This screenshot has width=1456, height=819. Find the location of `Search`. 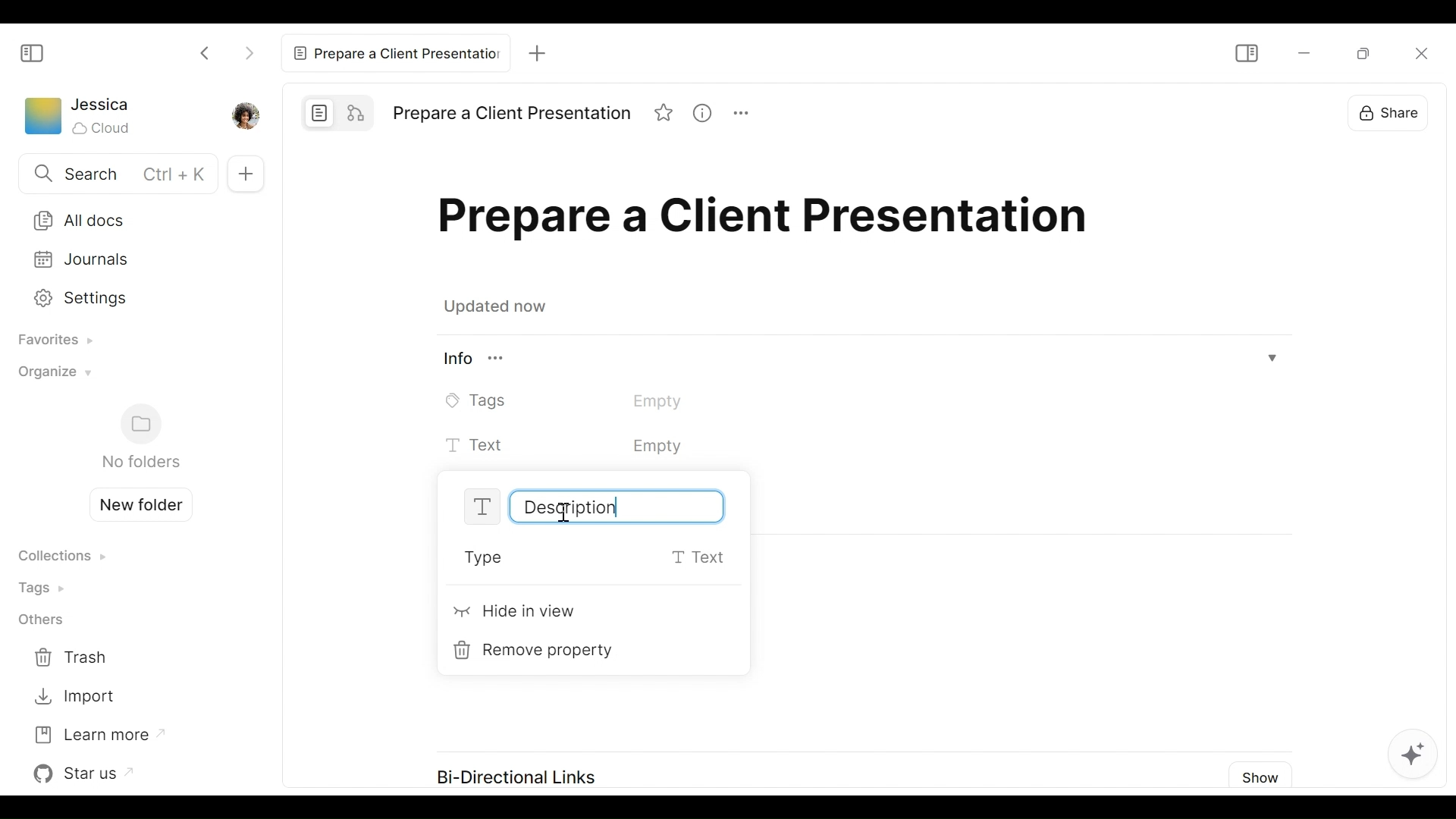

Search is located at coordinates (115, 175).